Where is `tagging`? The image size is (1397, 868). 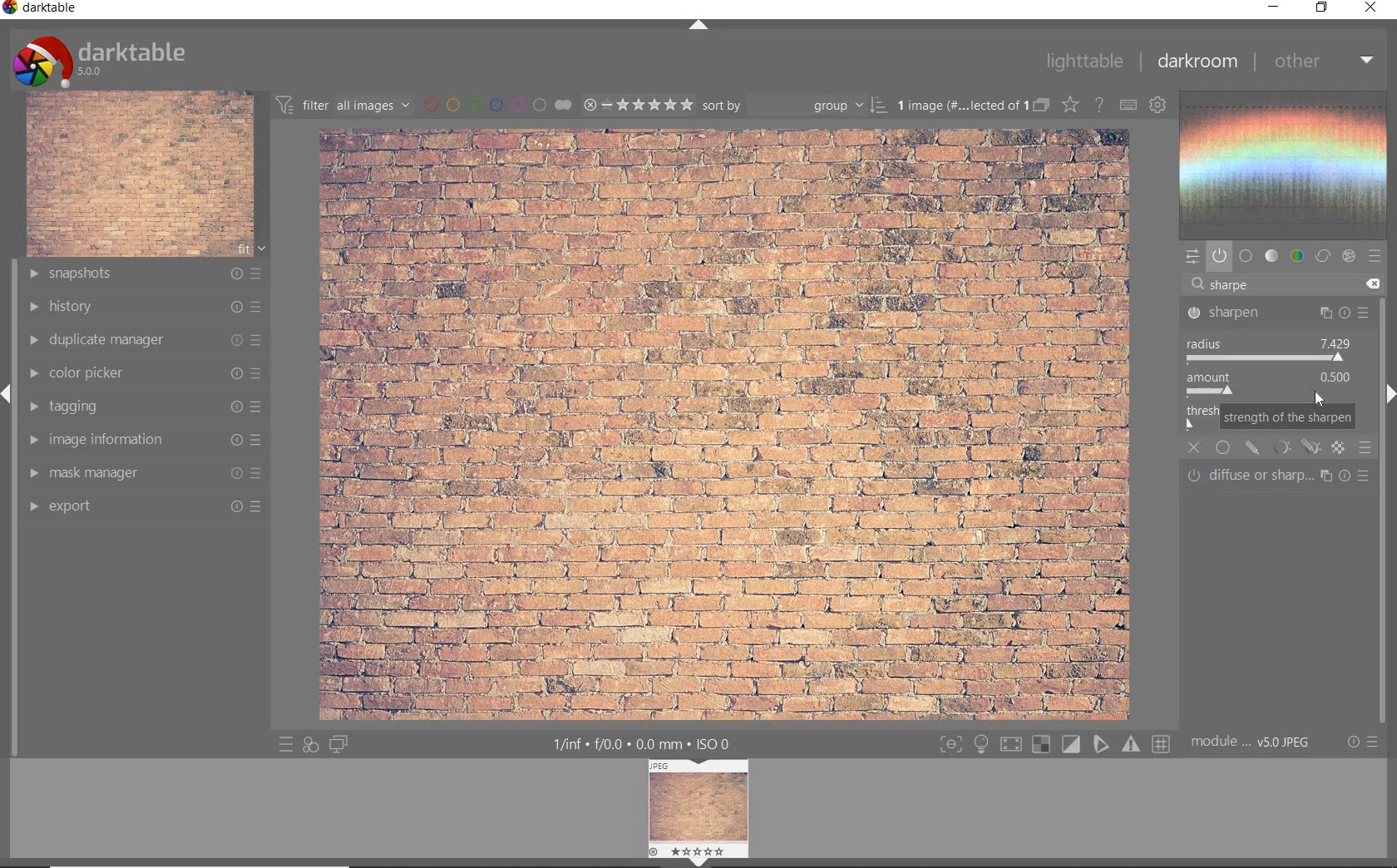 tagging is located at coordinates (147, 407).